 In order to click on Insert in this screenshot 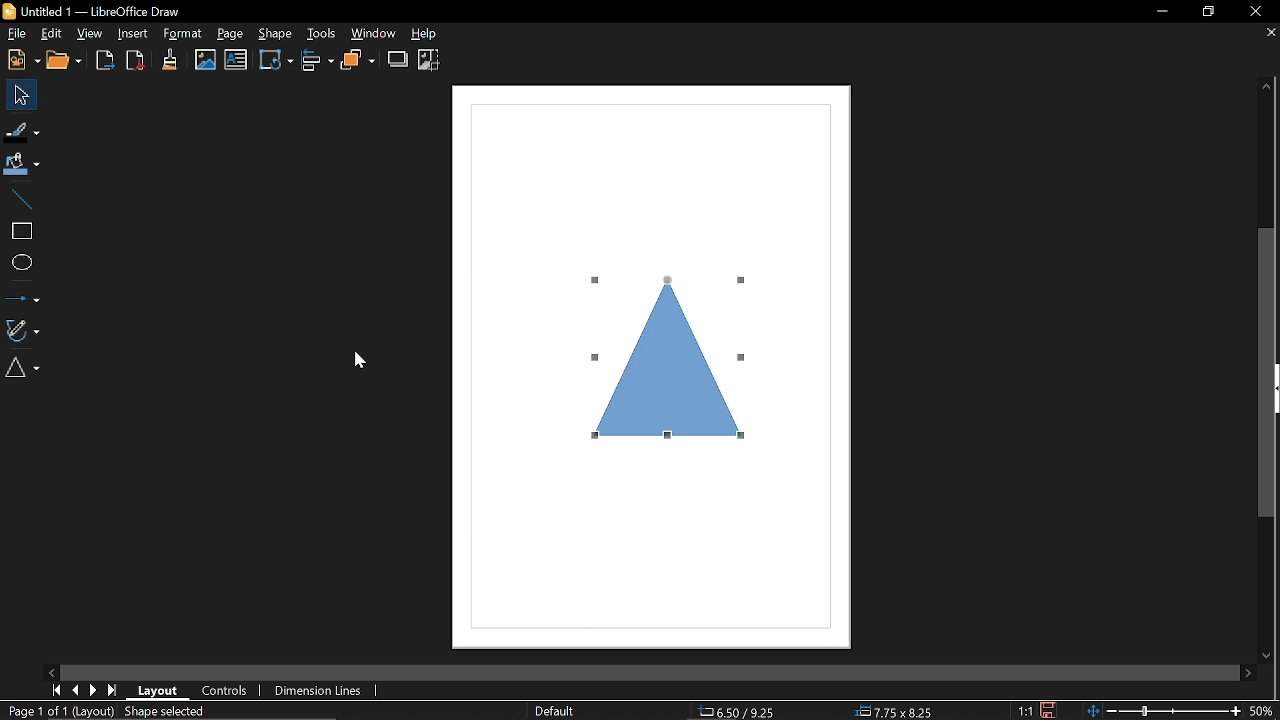, I will do `click(133, 34)`.